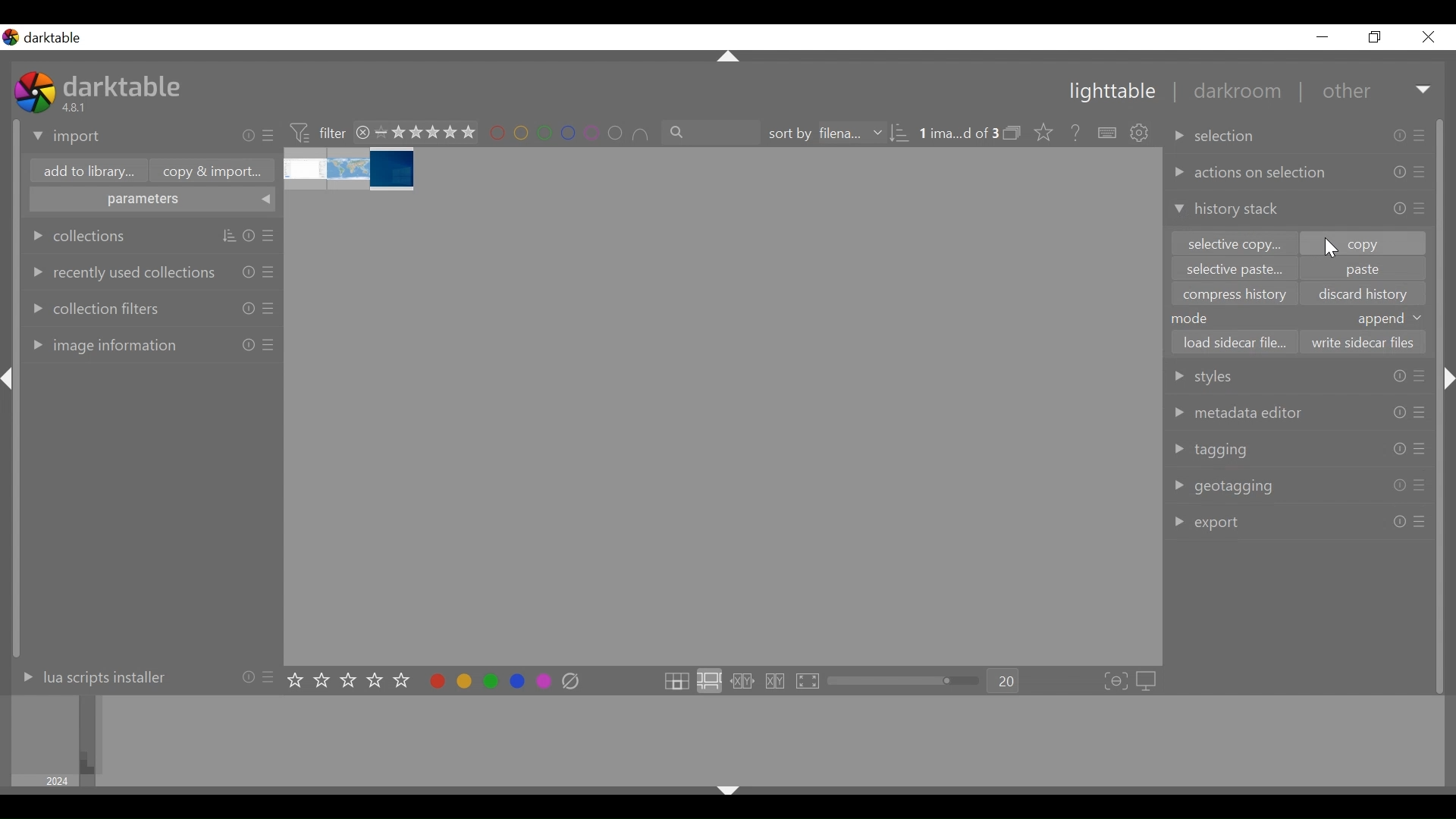 The image size is (1456, 819). What do you see at coordinates (727, 793) in the screenshot?
I see `Collapse ` at bounding box center [727, 793].